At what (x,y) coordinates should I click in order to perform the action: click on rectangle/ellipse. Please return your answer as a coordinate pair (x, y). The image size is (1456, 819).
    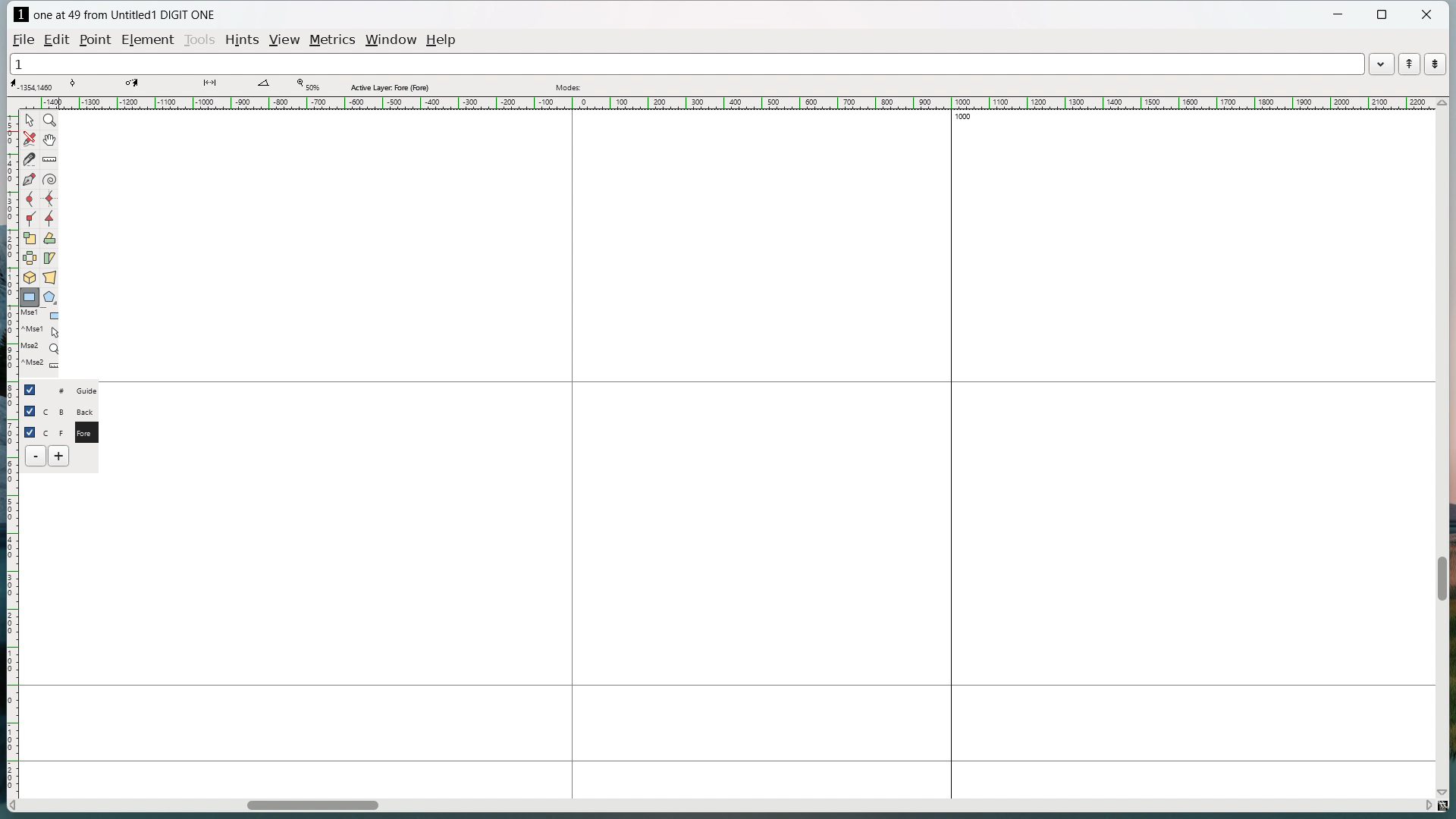
    Looking at the image, I should click on (30, 297).